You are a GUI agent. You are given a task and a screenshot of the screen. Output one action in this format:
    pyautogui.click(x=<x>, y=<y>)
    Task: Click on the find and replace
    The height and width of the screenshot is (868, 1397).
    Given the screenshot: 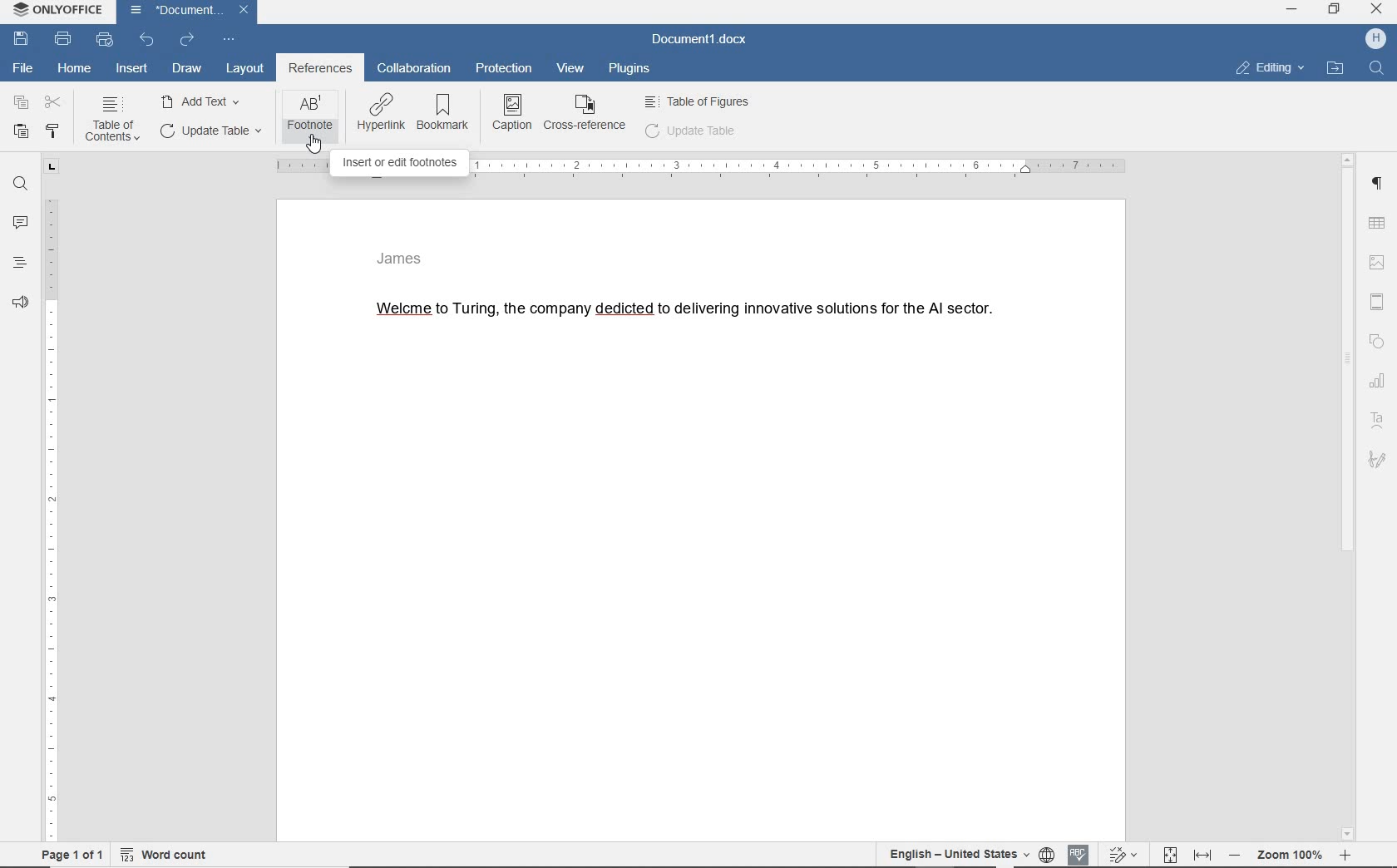 What is the action you would take?
    pyautogui.click(x=20, y=186)
    